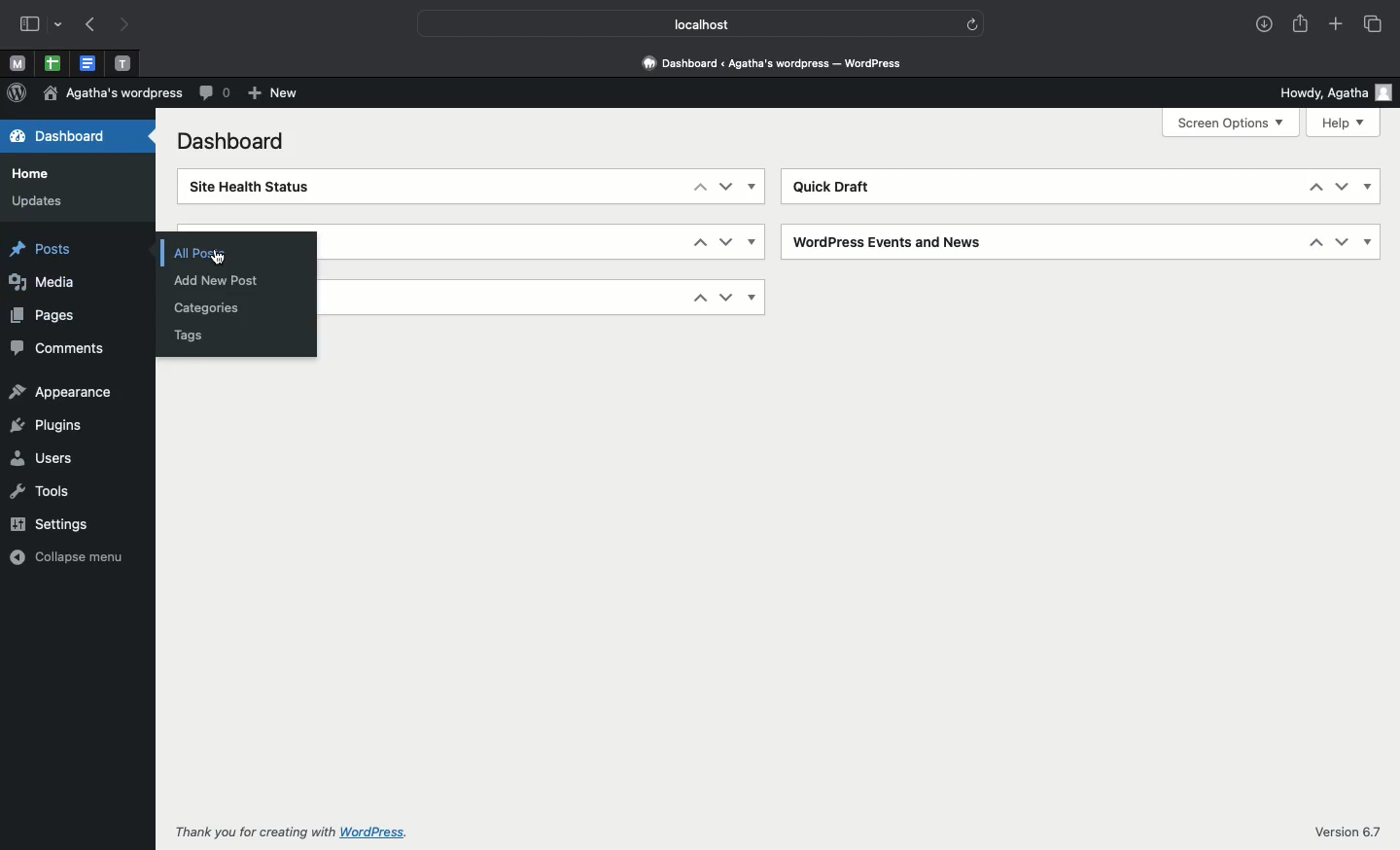 This screenshot has height=850, width=1400. I want to click on Tags, so click(189, 334).